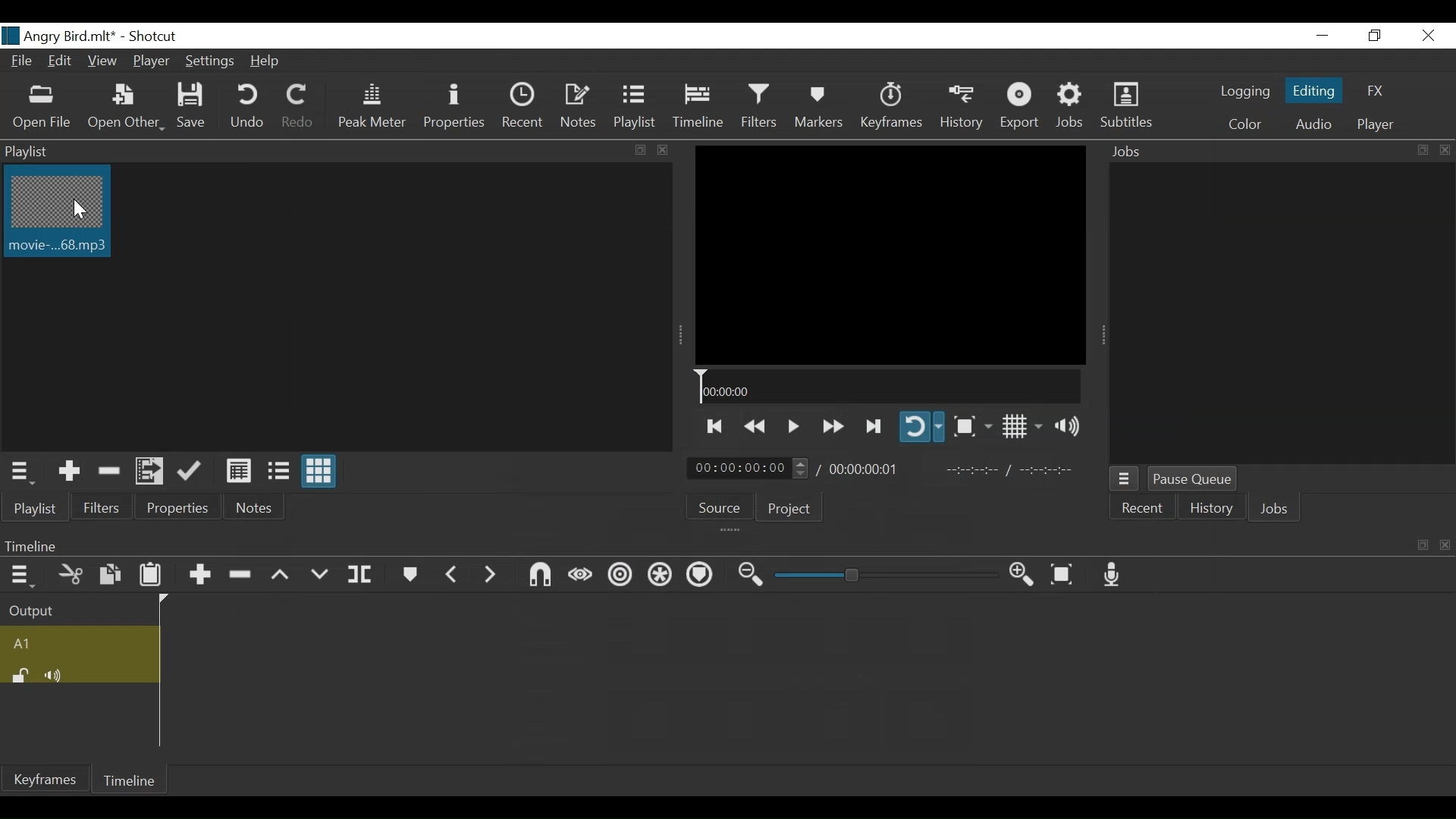 This screenshot has width=1456, height=819. What do you see at coordinates (453, 573) in the screenshot?
I see `Previous marker` at bounding box center [453, 573].